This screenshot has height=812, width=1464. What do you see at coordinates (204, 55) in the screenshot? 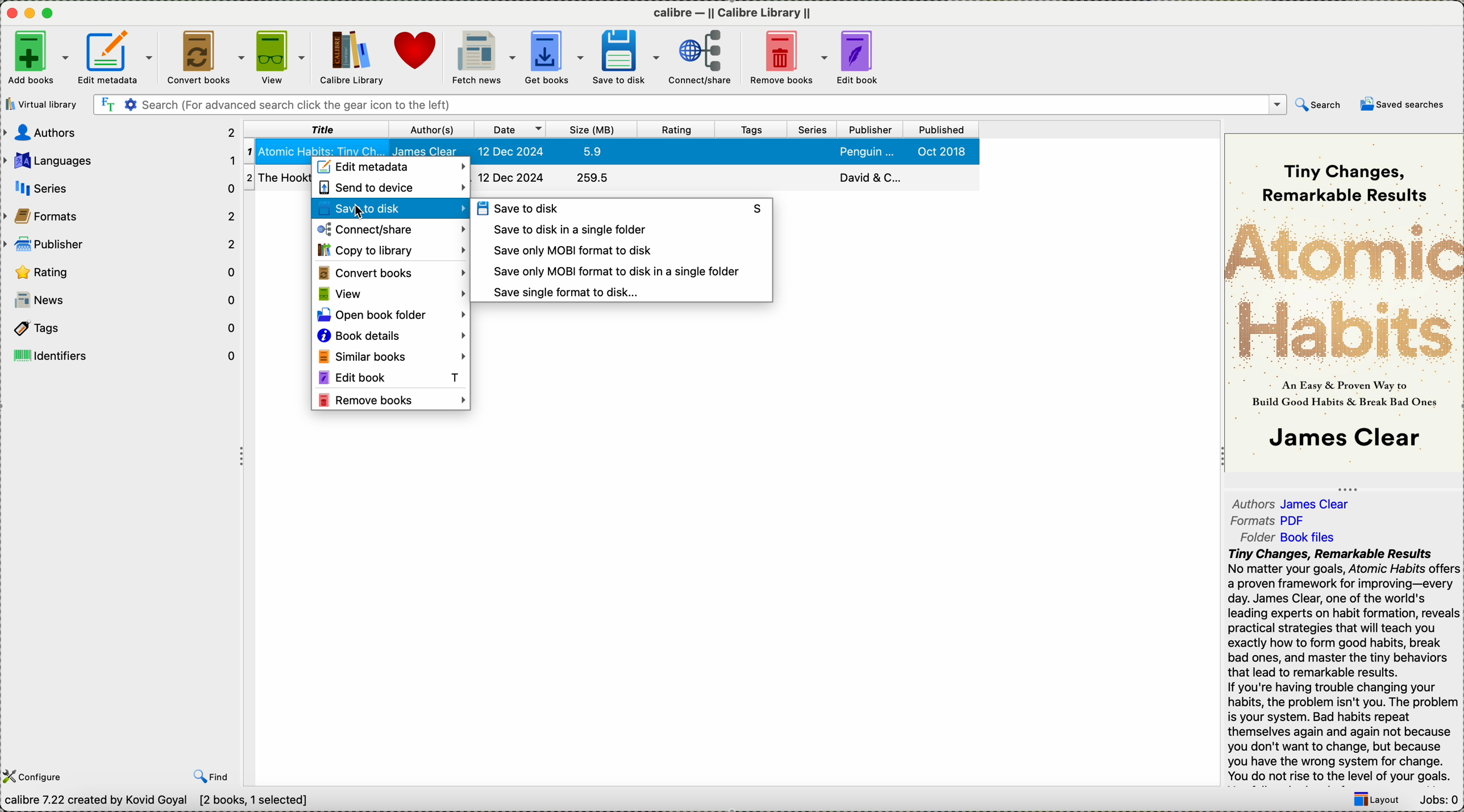
I see `convert books` at bounding box center [204, 55].